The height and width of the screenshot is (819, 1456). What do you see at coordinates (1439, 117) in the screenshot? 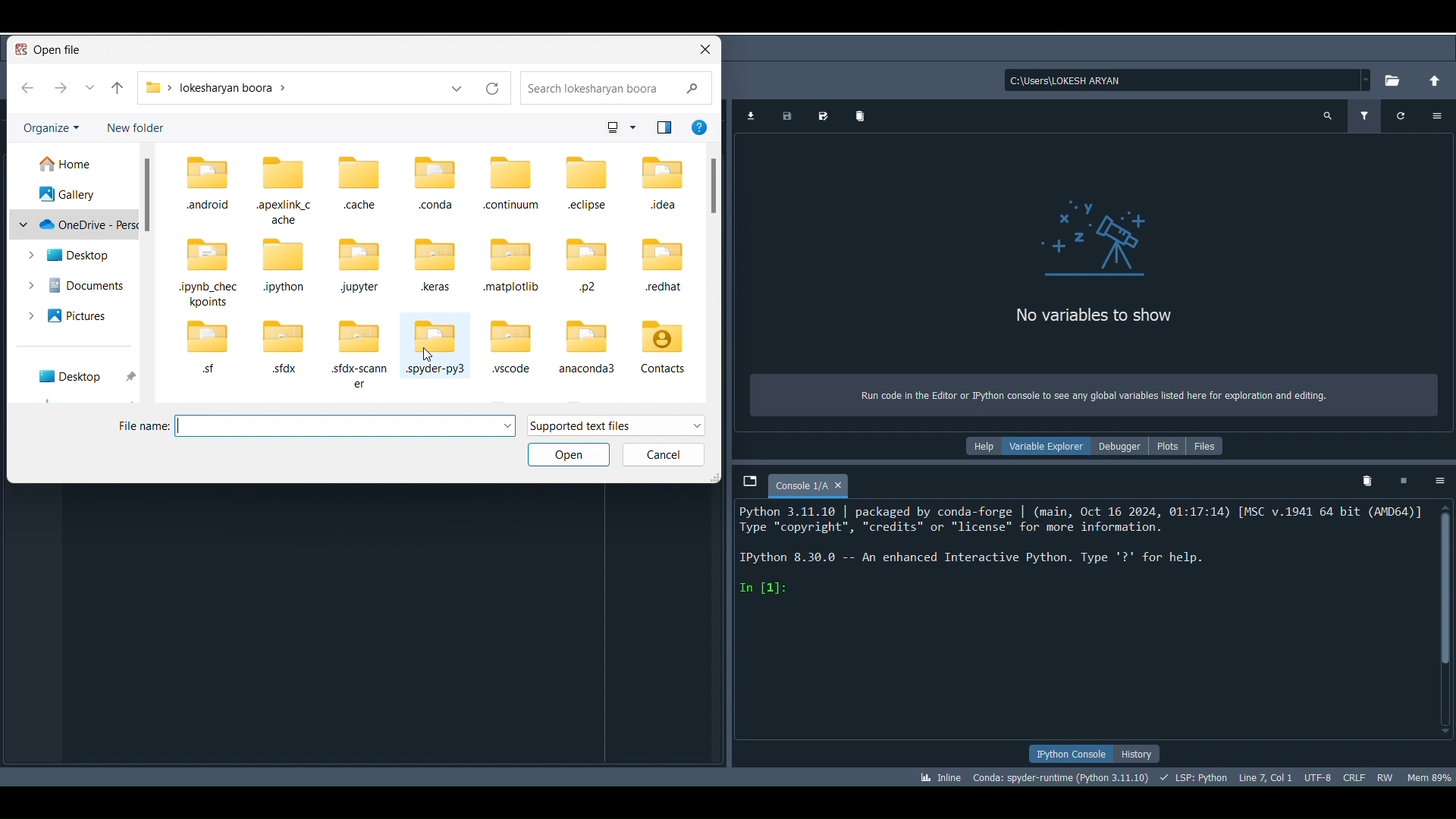
I see `Options` at bounding box center [1439, 117].